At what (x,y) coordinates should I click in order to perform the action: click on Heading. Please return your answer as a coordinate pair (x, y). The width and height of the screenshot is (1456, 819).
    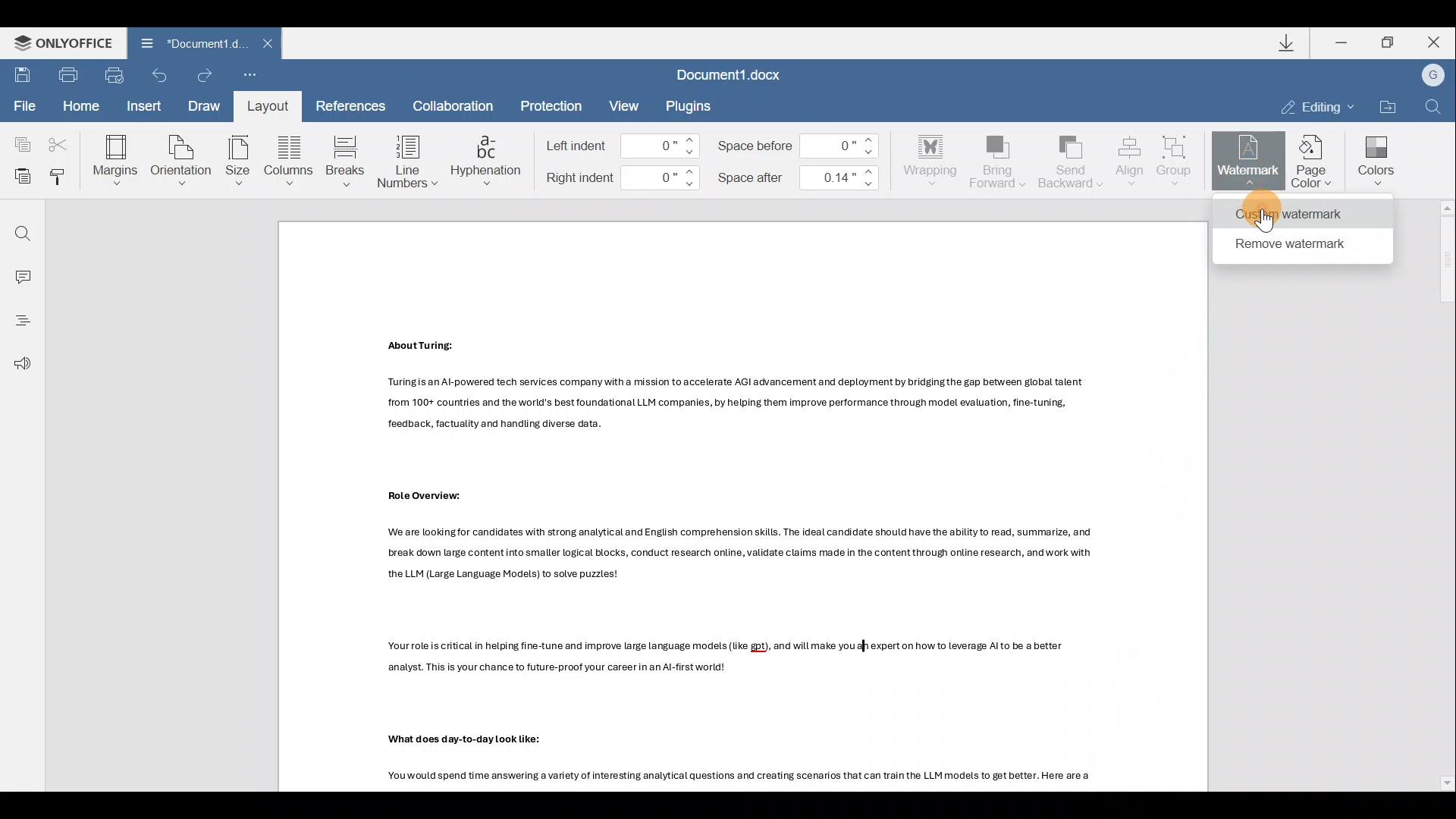
    Looking at the image, I should click on (21, 321).